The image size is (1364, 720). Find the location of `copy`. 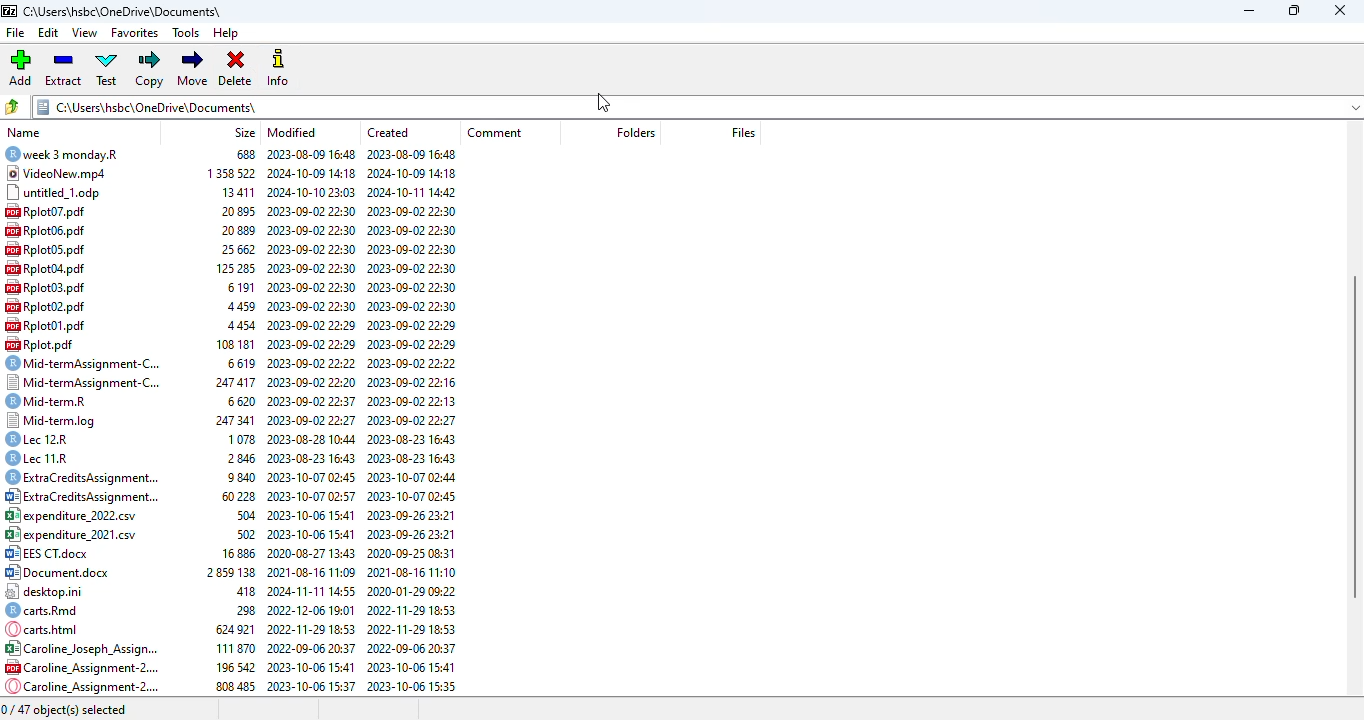

copy is located at coordinates (150, 69).